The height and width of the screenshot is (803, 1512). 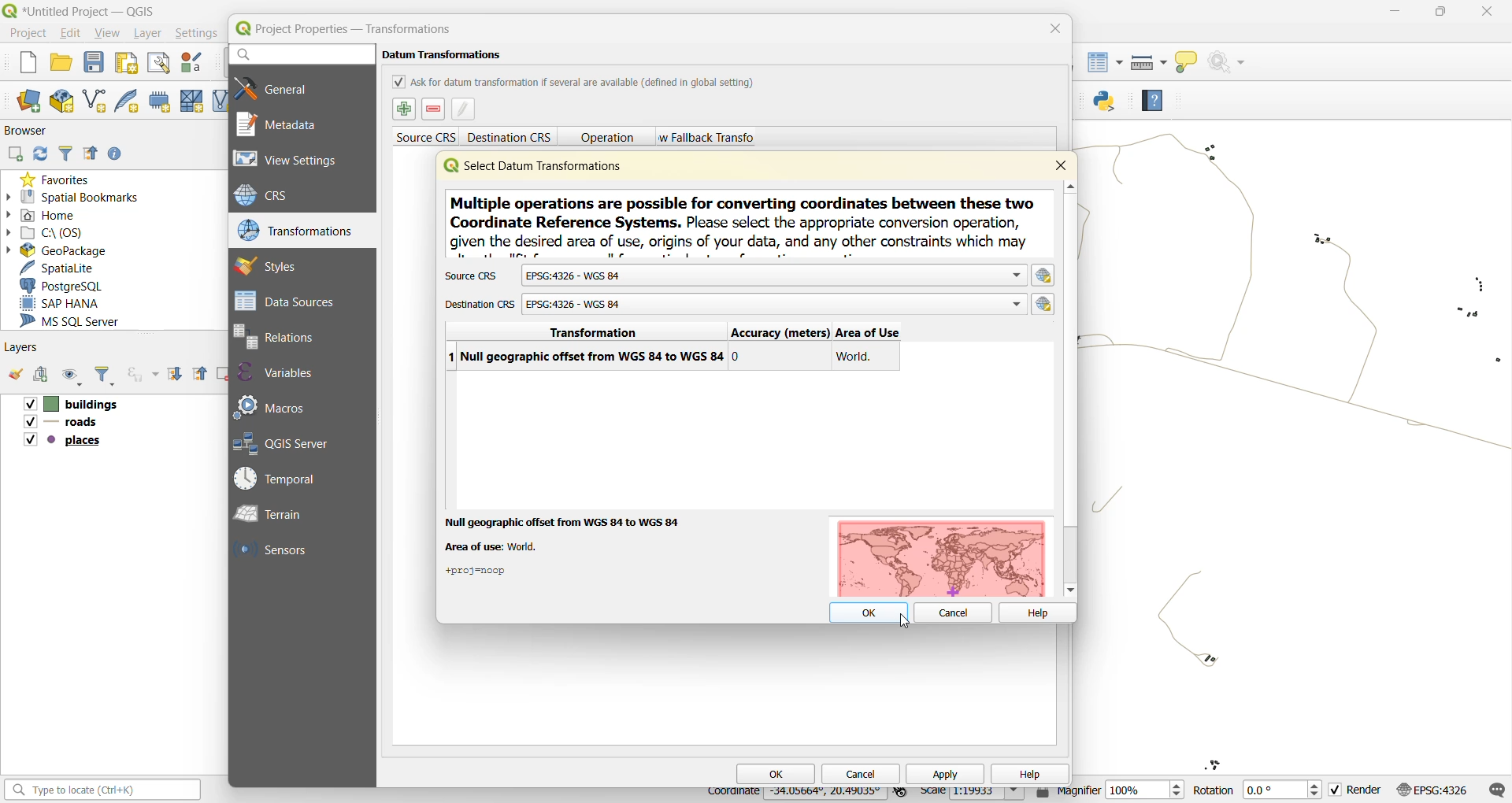 I want to click on toggle extents, so click(x=902, y=794).